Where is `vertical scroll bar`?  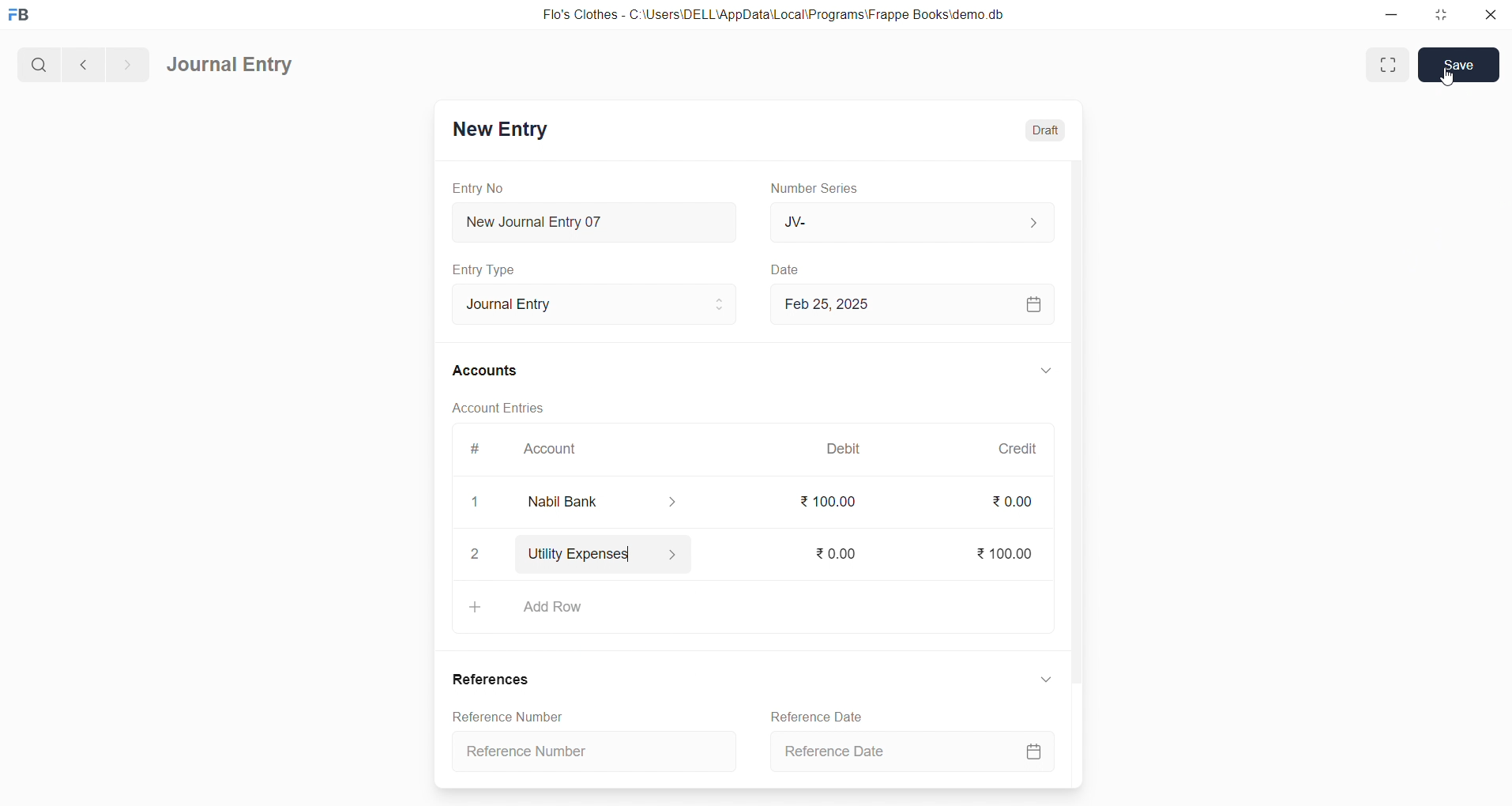
vertical scroll bar is located at coordinates (1076, 472).